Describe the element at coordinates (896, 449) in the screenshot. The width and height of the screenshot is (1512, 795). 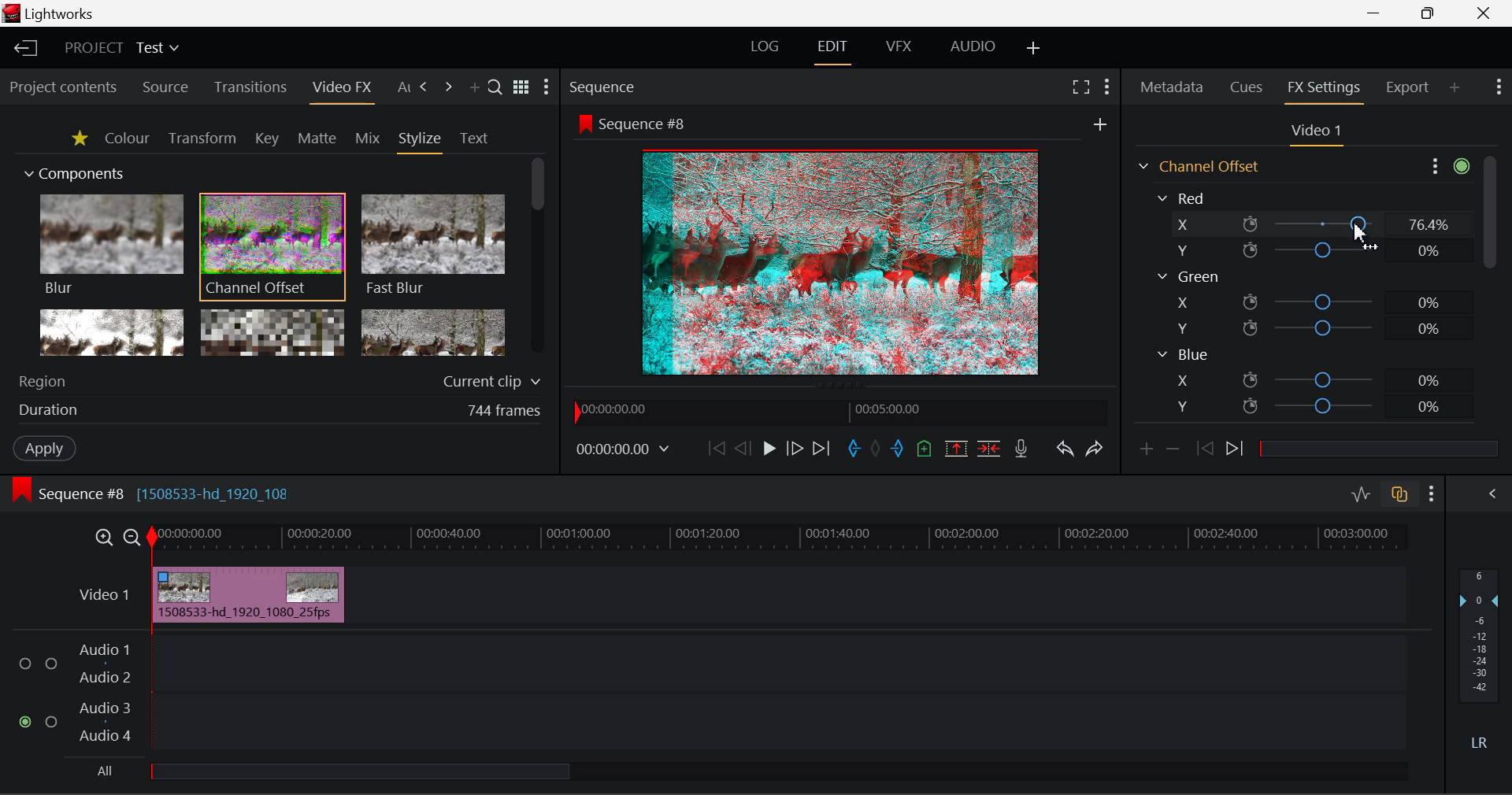
I see `Mark Out` at that location.